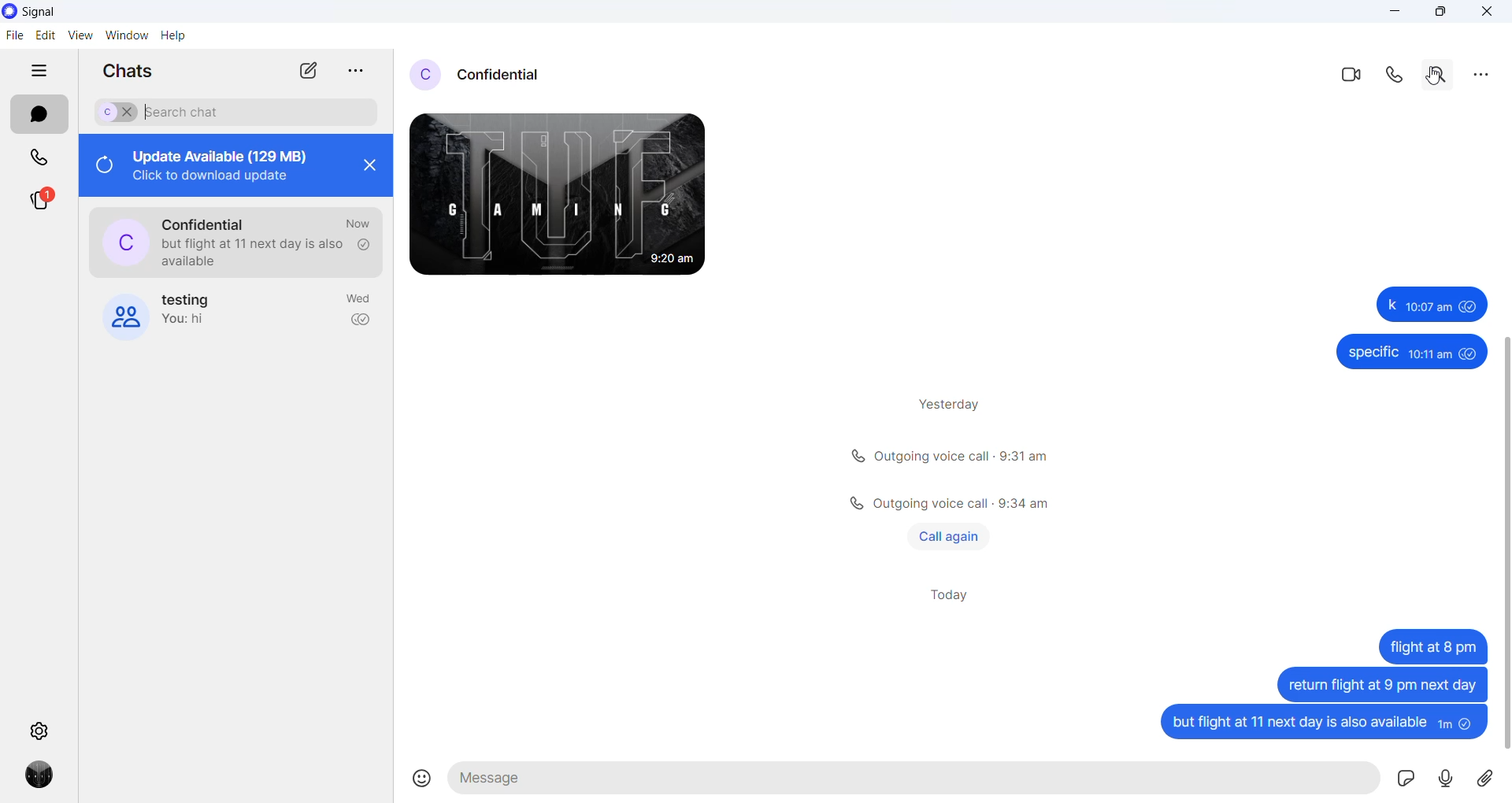 The width and height of the screenshot is (1512, 803). What do you see at coordinates (952, 599) in the screenshot?
I see `today heading` at bounding box center [952, 599].